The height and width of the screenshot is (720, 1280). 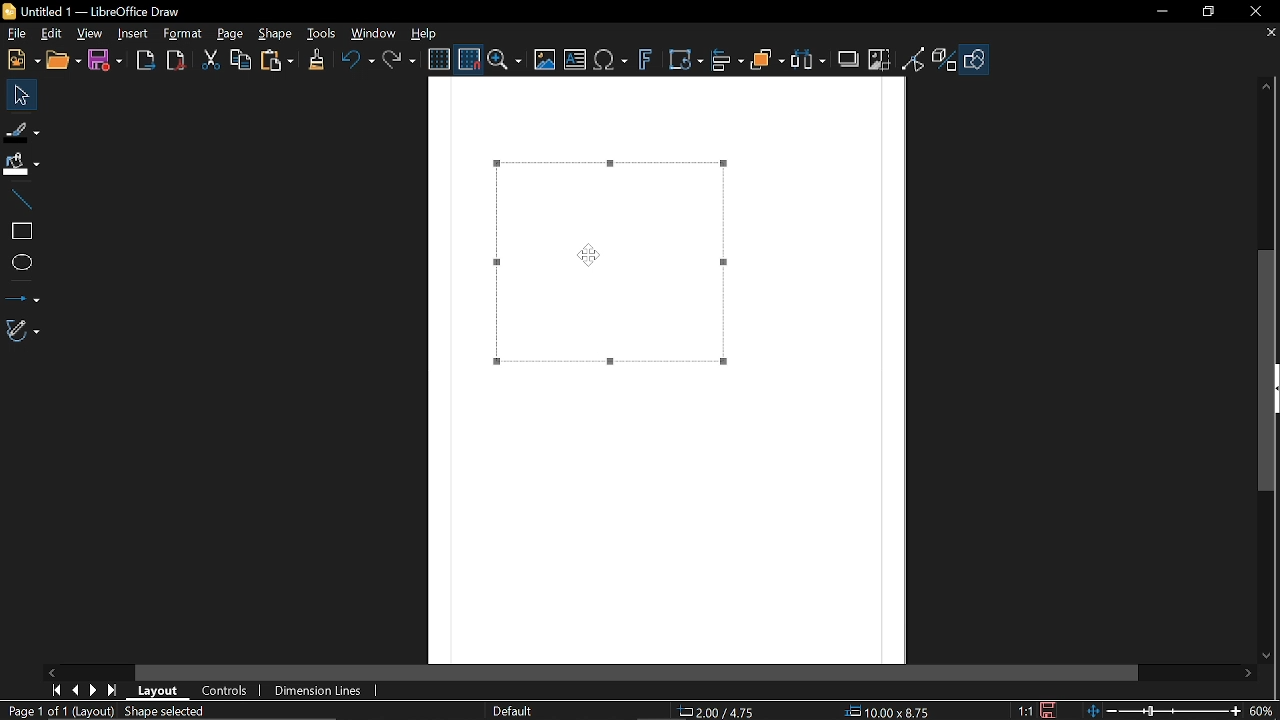 I want to click on Move down, so click(x=1270, y=658).